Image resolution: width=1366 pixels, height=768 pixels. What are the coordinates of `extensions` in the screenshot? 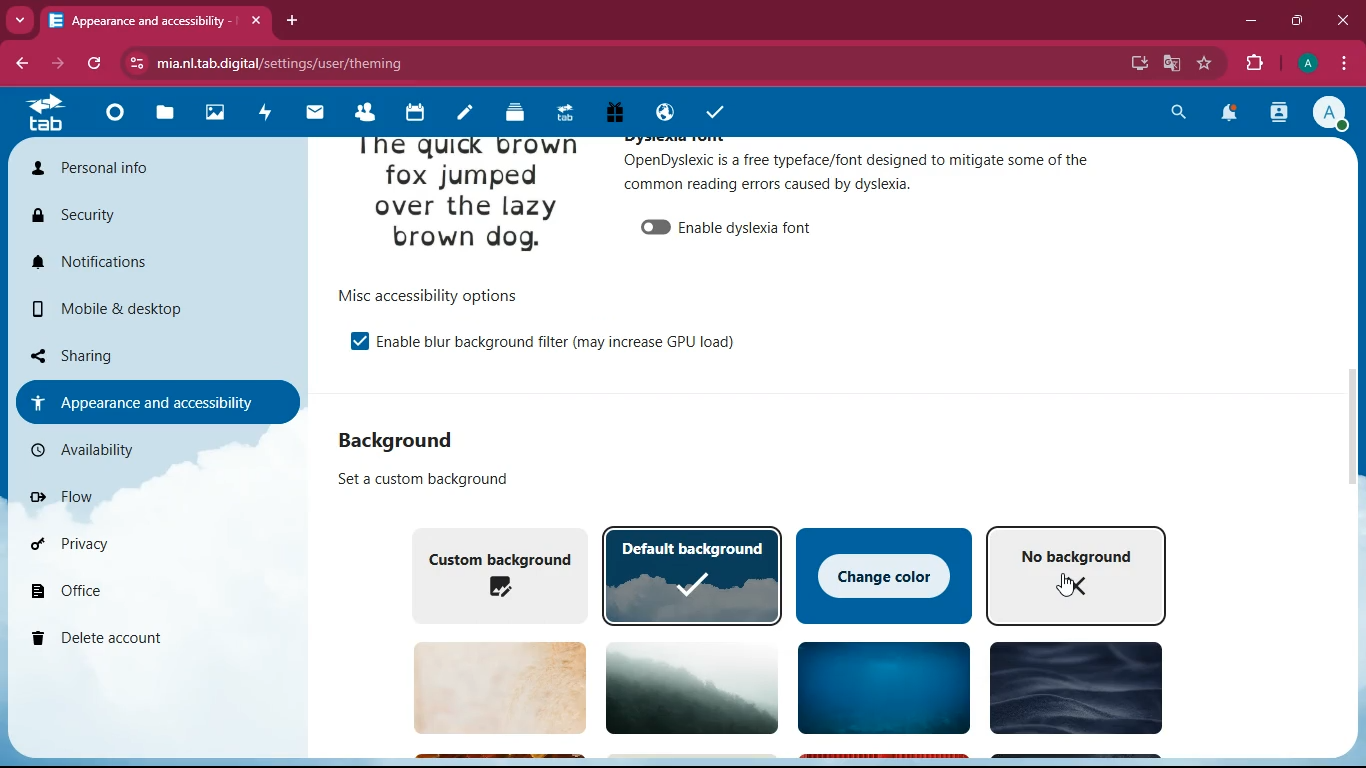 It's located at (1255, 64).